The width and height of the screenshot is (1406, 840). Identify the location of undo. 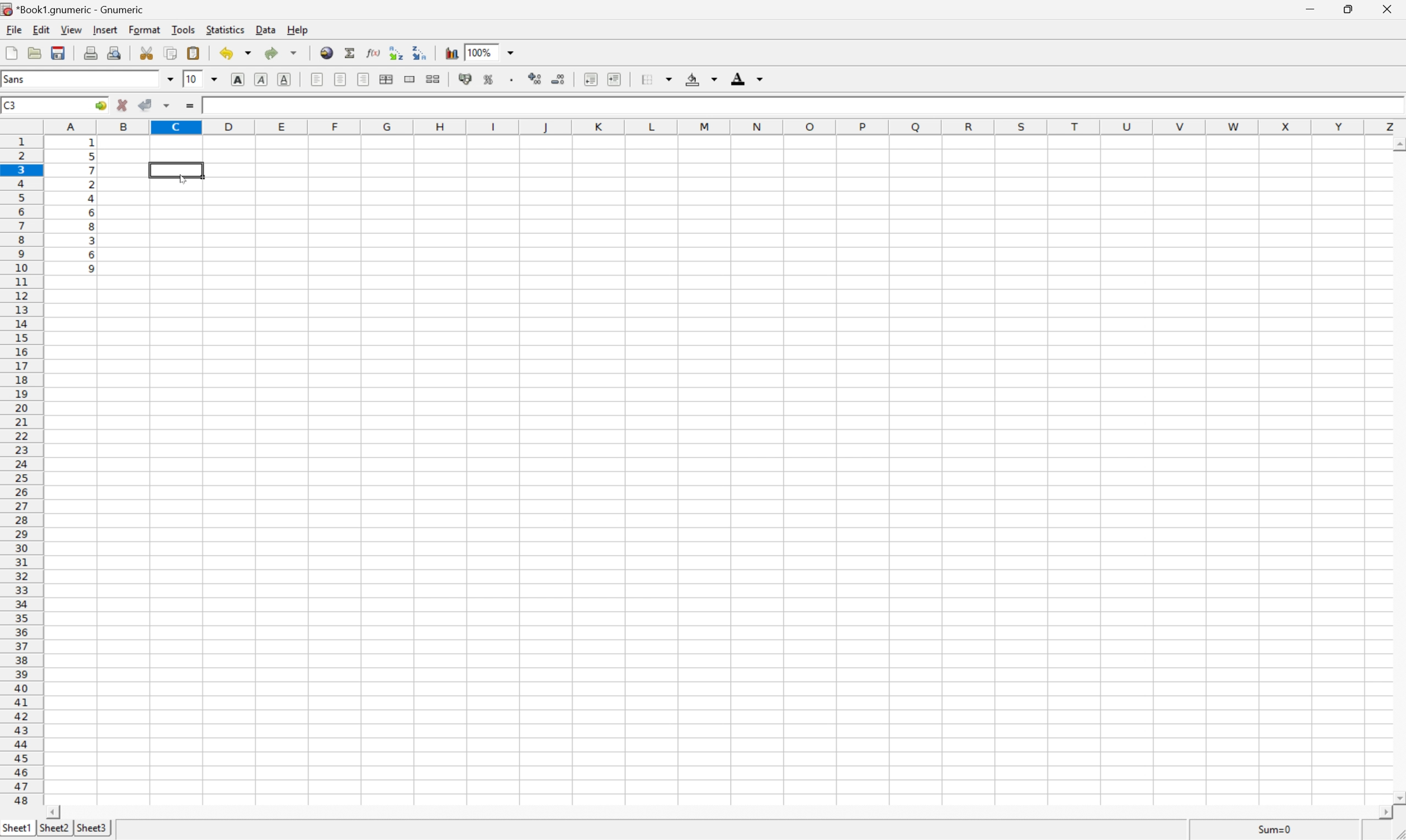
(233, 53).